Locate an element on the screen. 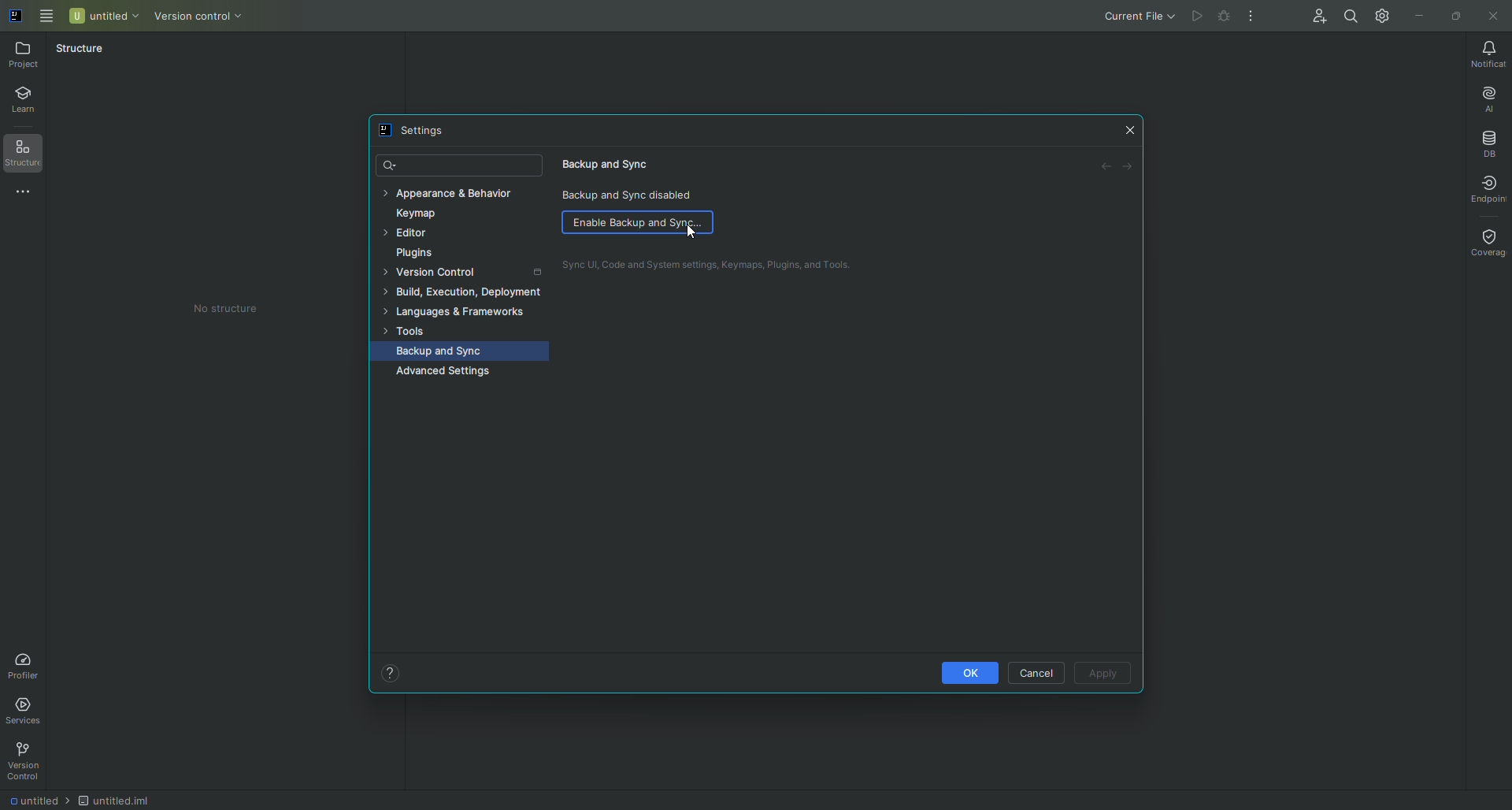 Image resolution: width=1512 pixels, height=810 pixels. Backup and Sync disabled is located at coordinates (637, 198).